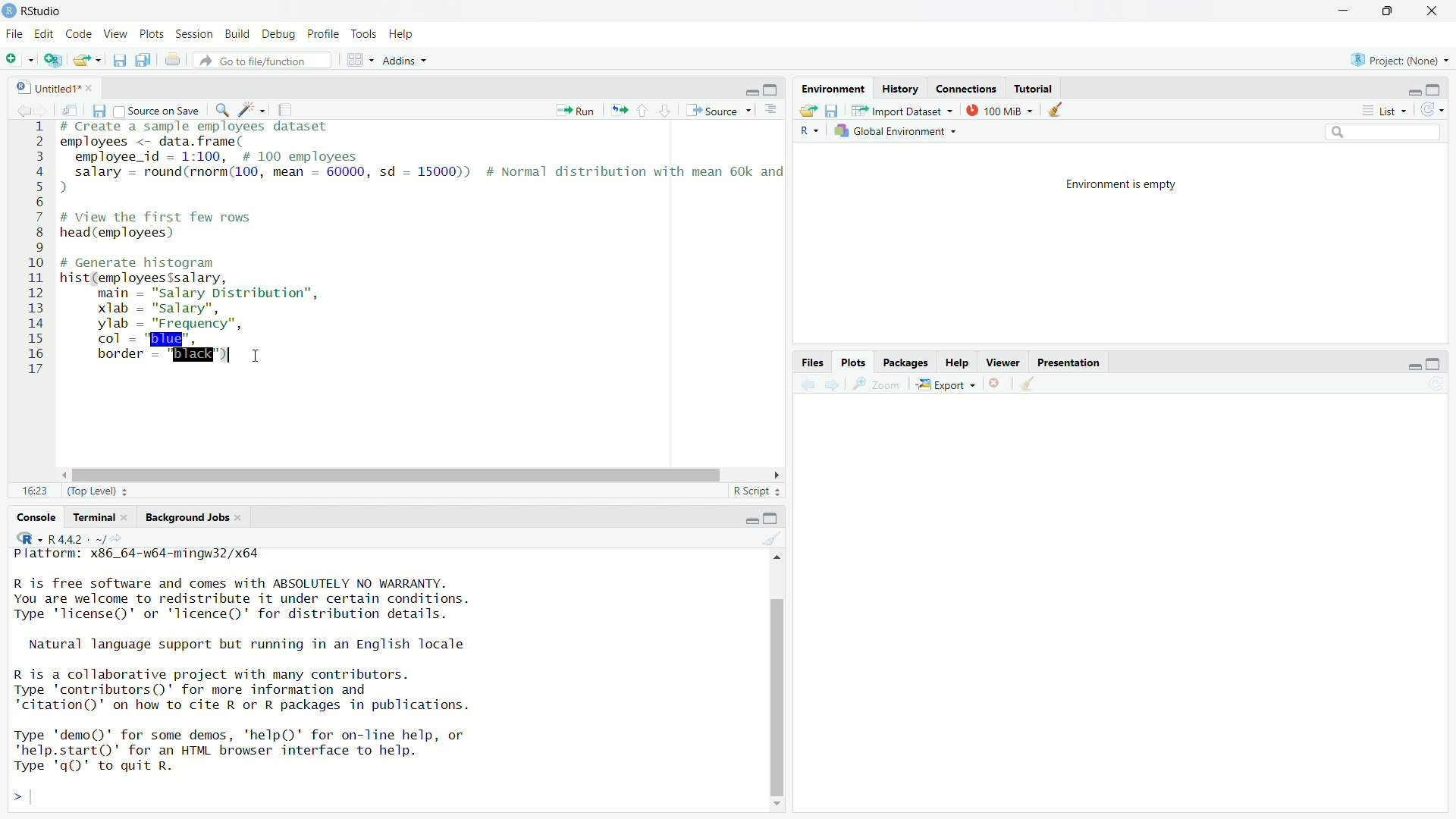  Describe the element at coordinates (288, 108) in the screenshot. I see `copy` at that location.